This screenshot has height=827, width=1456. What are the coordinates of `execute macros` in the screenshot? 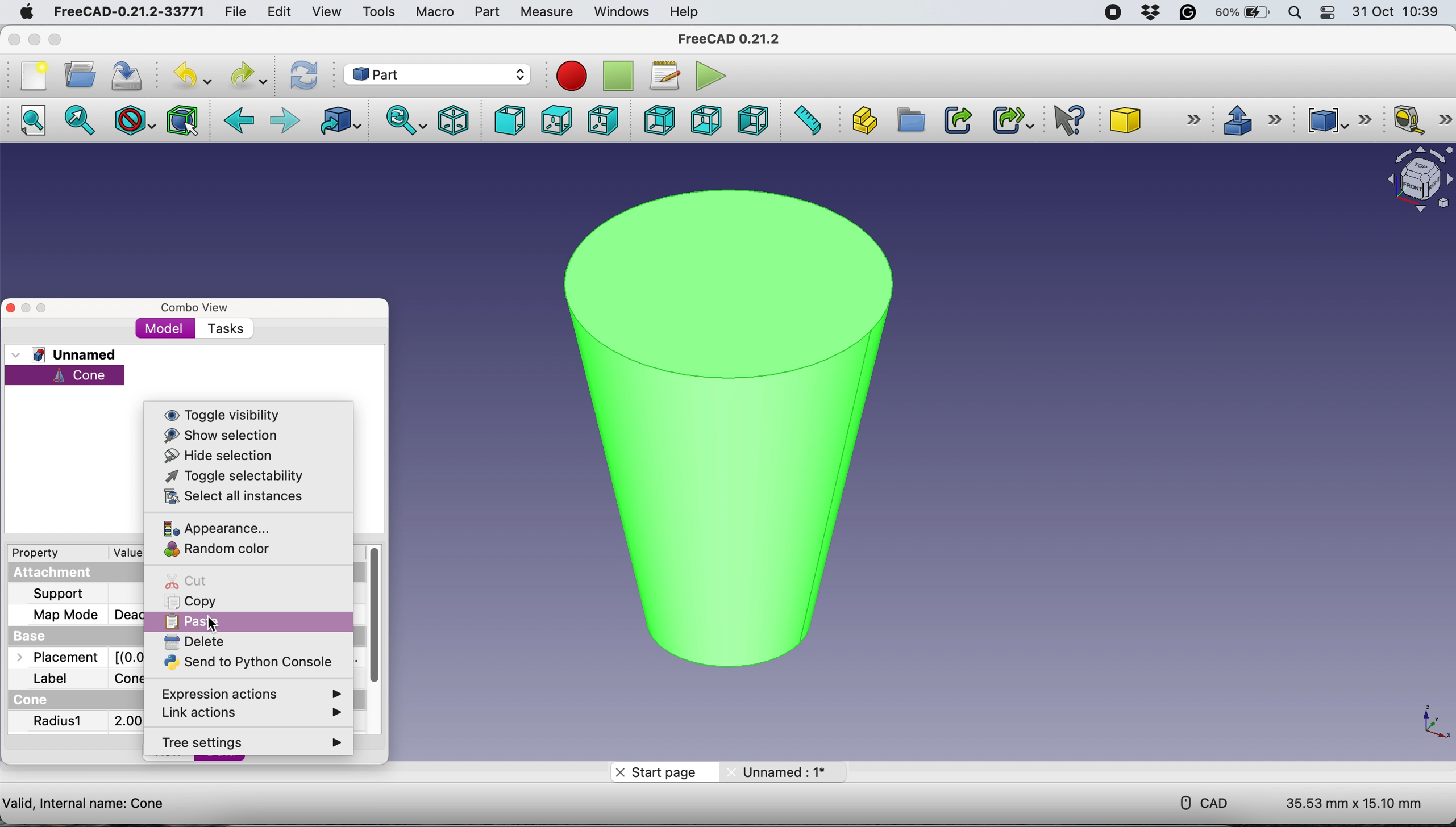 It's located at (708, 76).